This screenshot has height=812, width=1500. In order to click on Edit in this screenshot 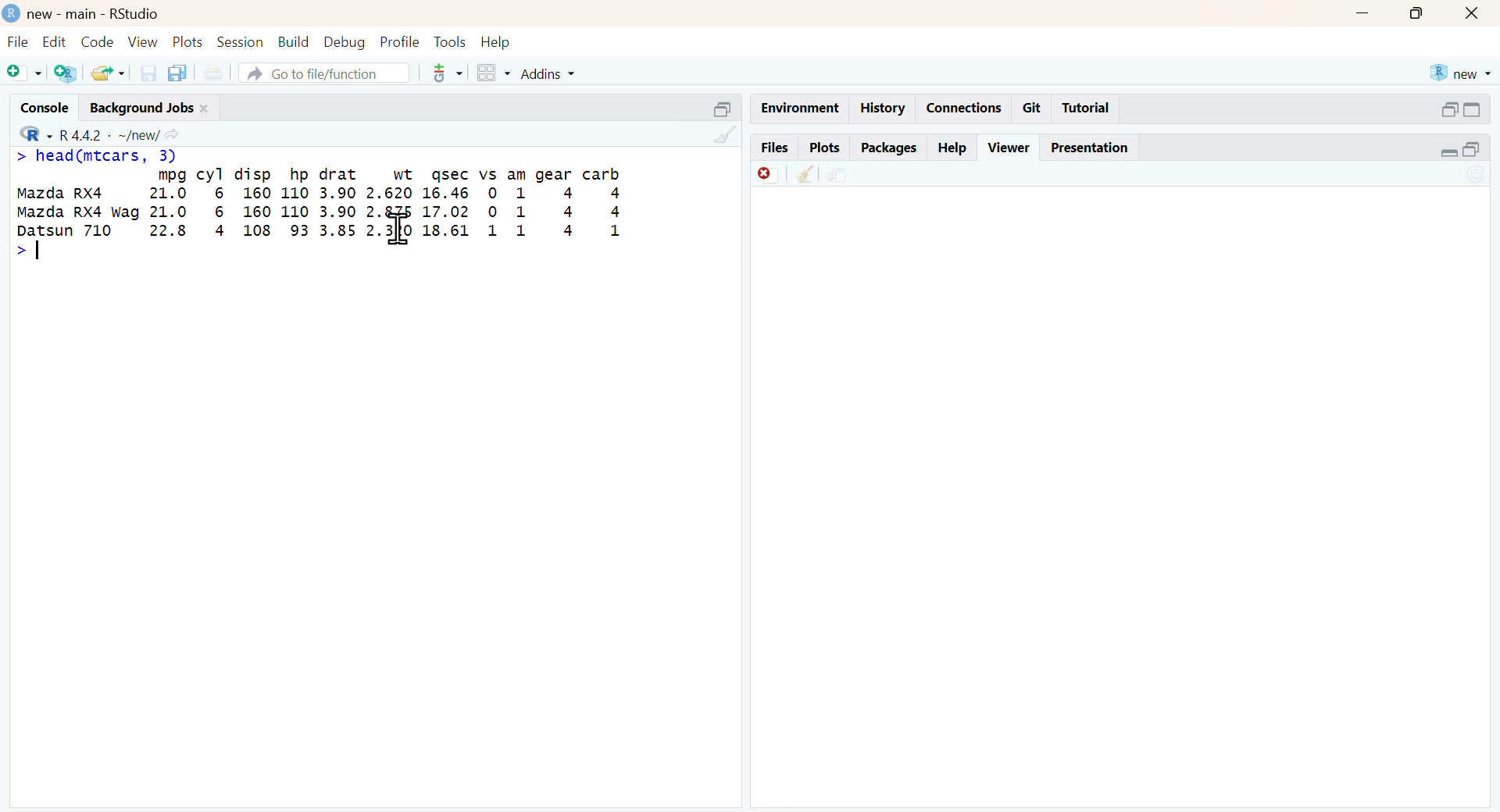, I will do `click(52, 40)`.